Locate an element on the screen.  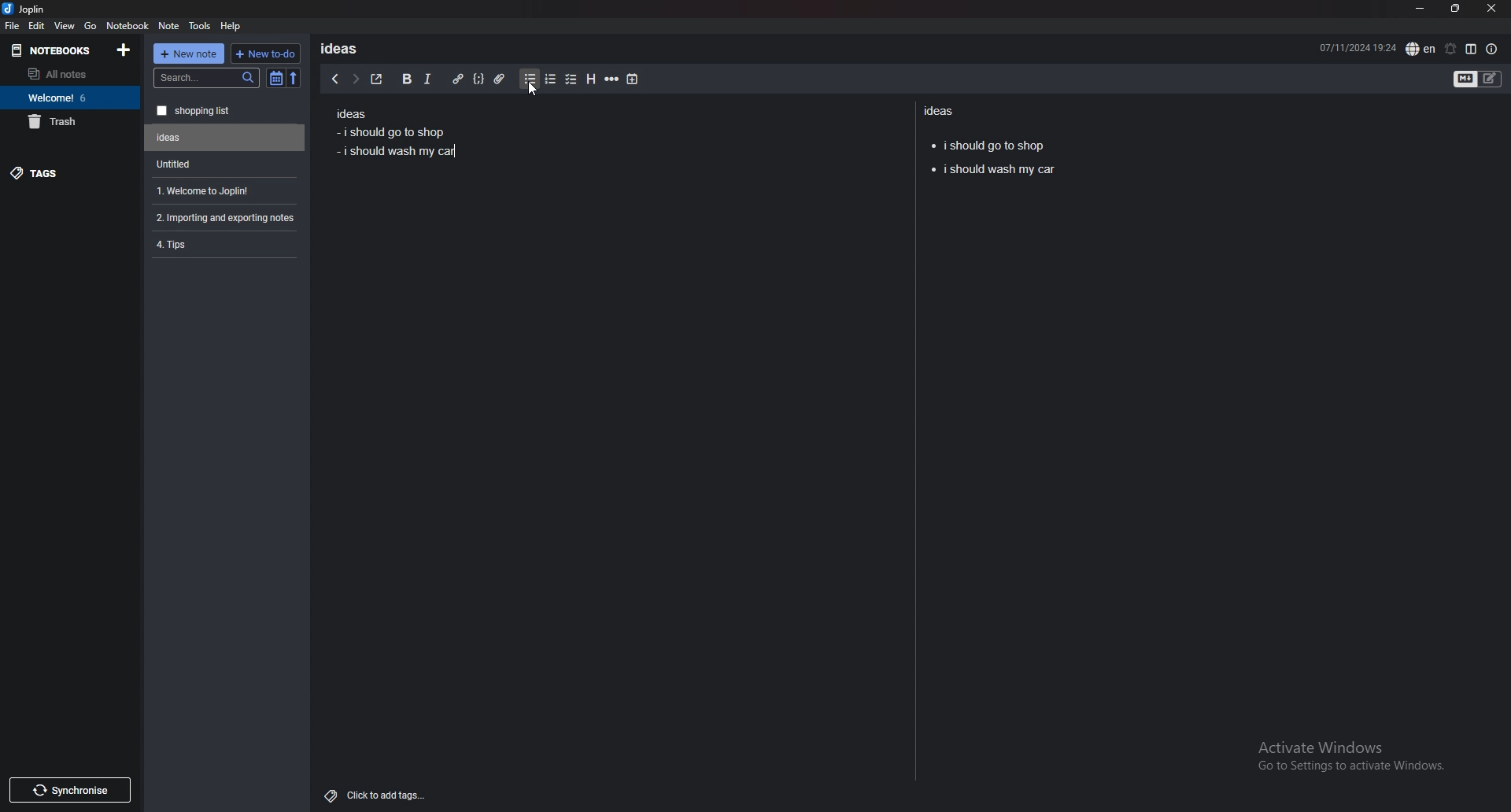
ideas is located at coordinates (943, 110).